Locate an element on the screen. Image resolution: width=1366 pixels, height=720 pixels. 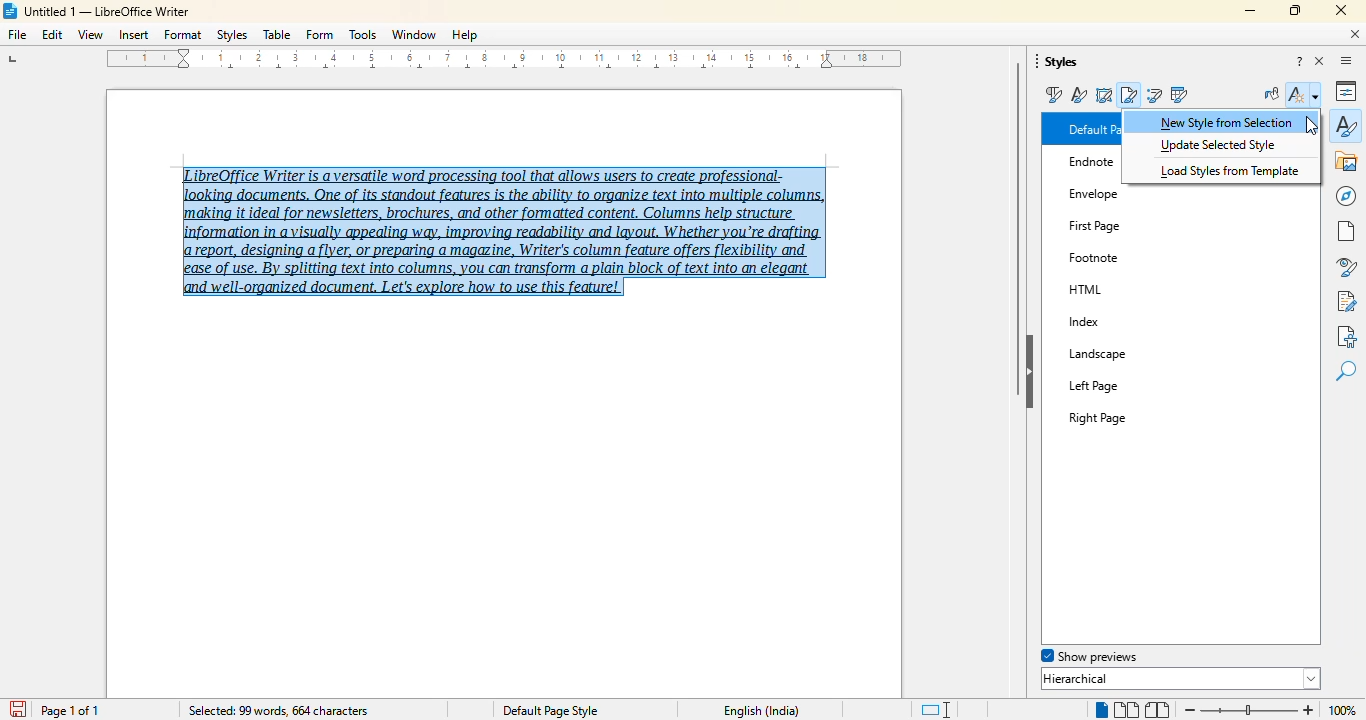
gallery is located at coordinates (1347, 161).